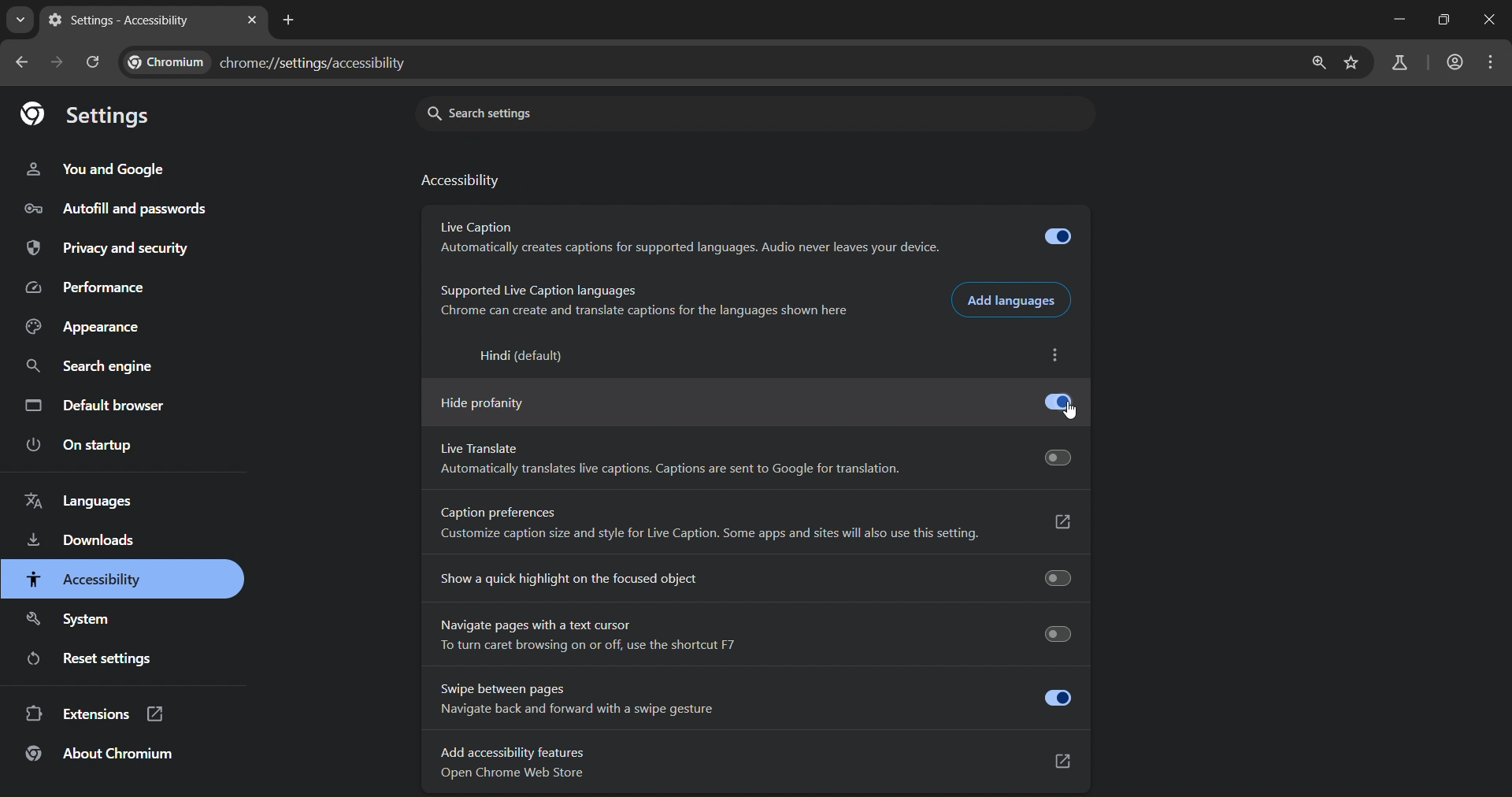 This screenshot has width=1512, height=797. What do you see at coordinates (1351, 65) in the screenshot?
I see `bookmark page` at bounding box center [1351, 65].